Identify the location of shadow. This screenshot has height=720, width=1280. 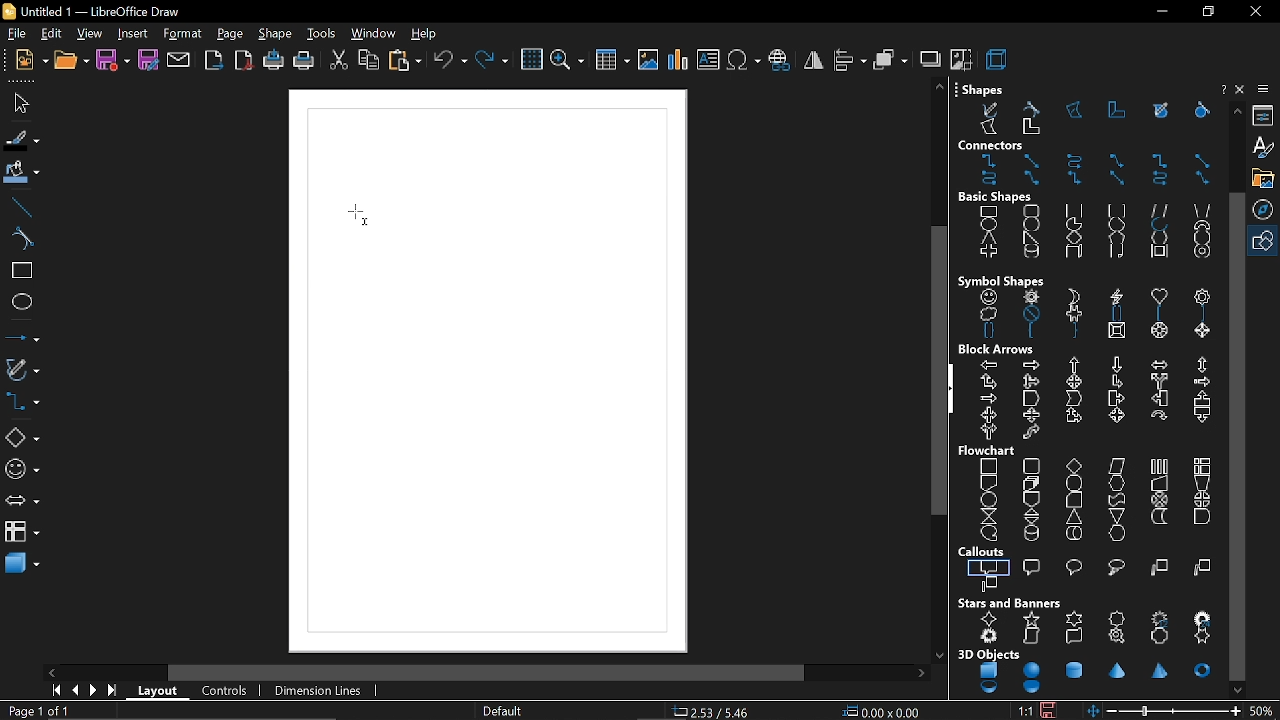
(929, 58).